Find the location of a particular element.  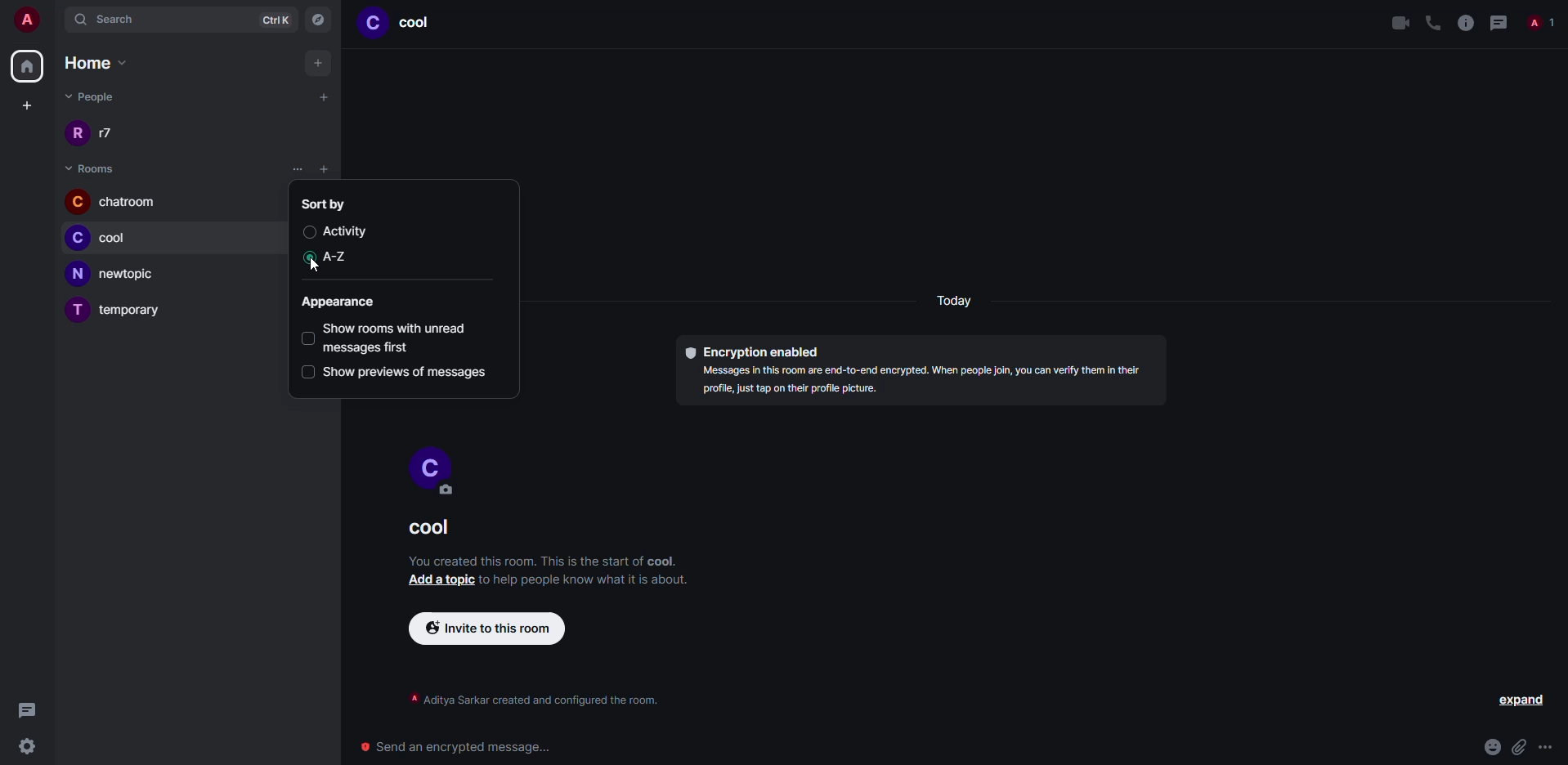

create space is located at coordinates (23, 105).